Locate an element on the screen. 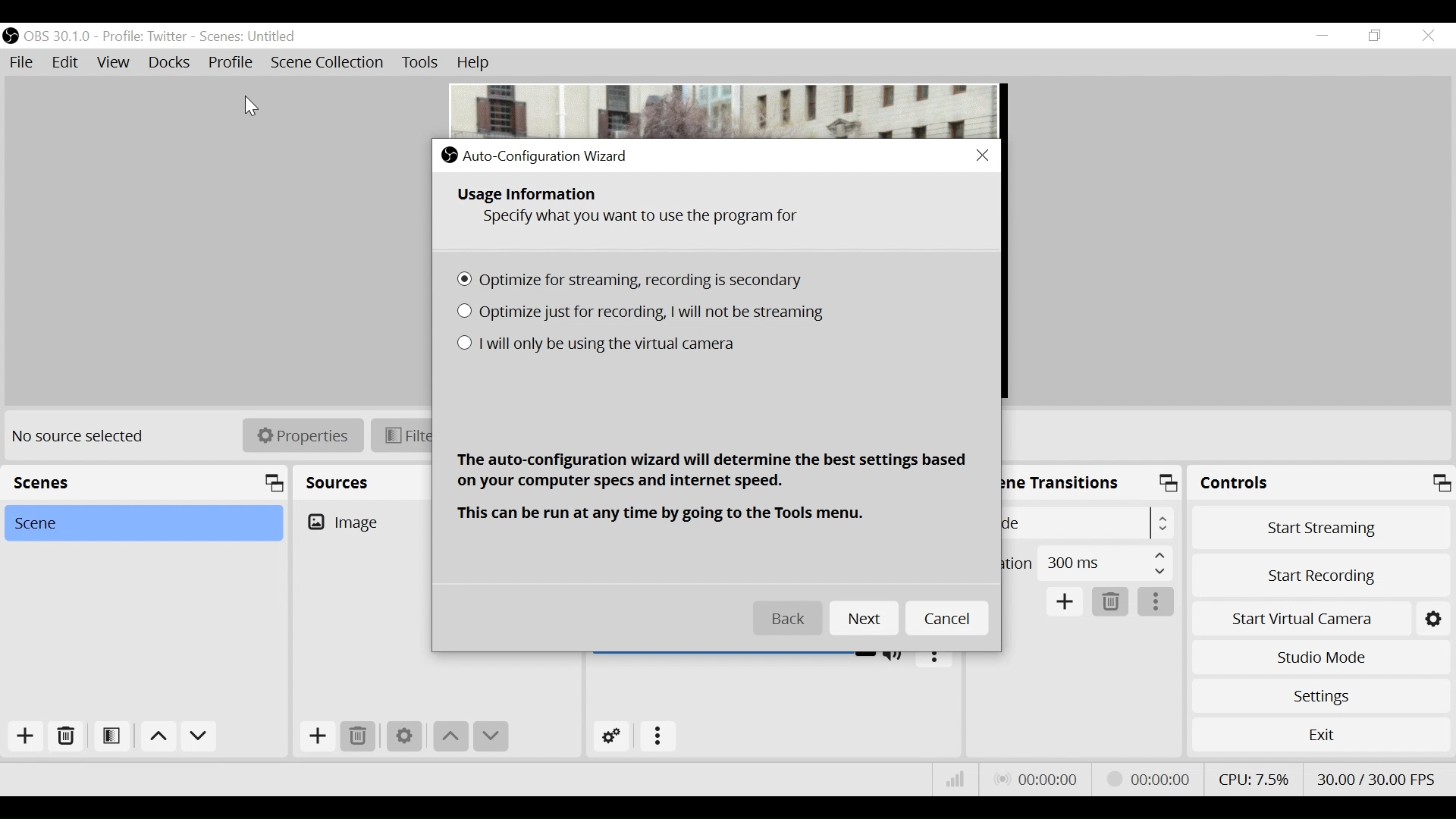  Select Scene Transition is located at coordinates (1090, 522).